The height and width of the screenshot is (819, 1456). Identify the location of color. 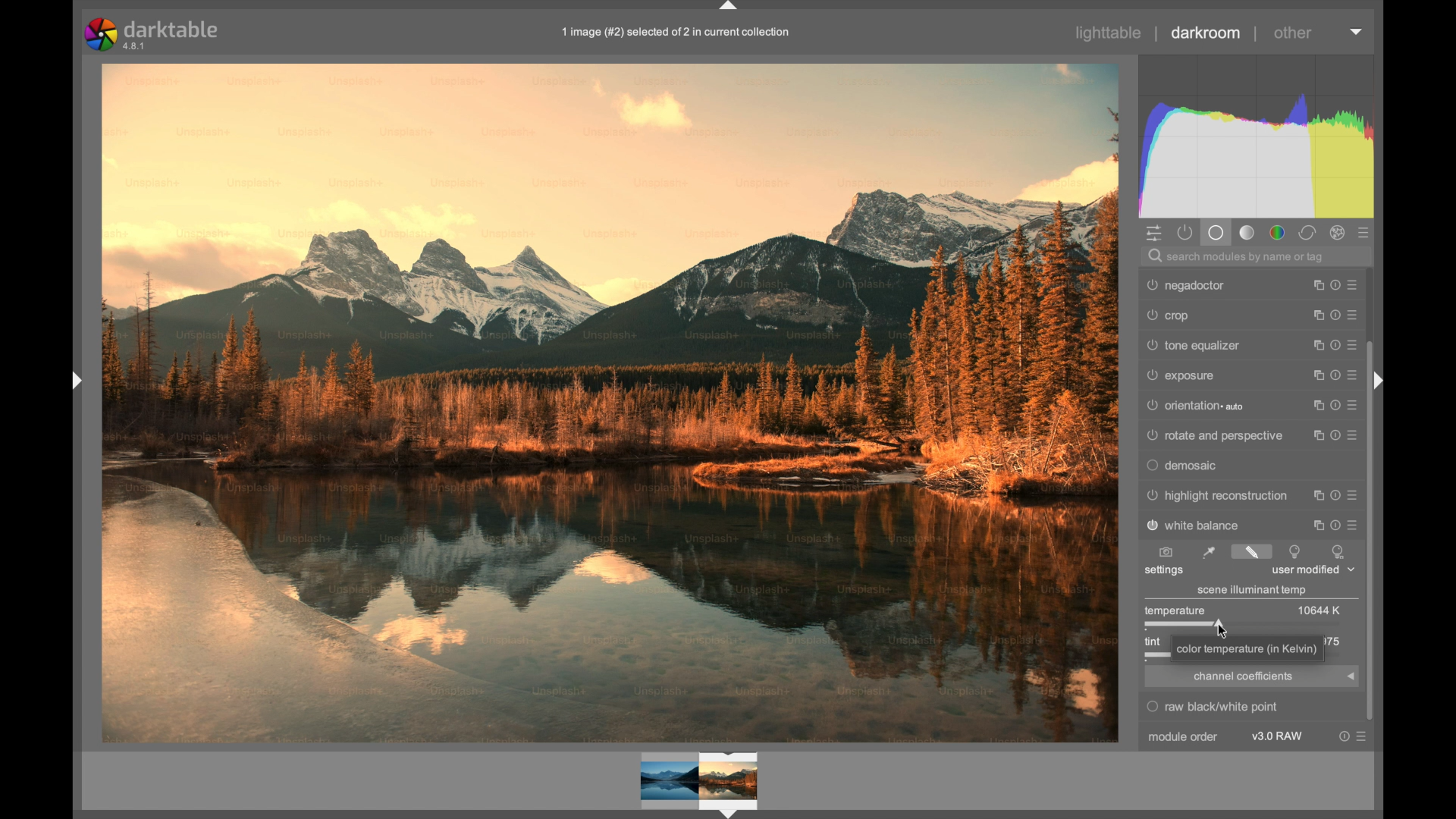
(1279, 233).